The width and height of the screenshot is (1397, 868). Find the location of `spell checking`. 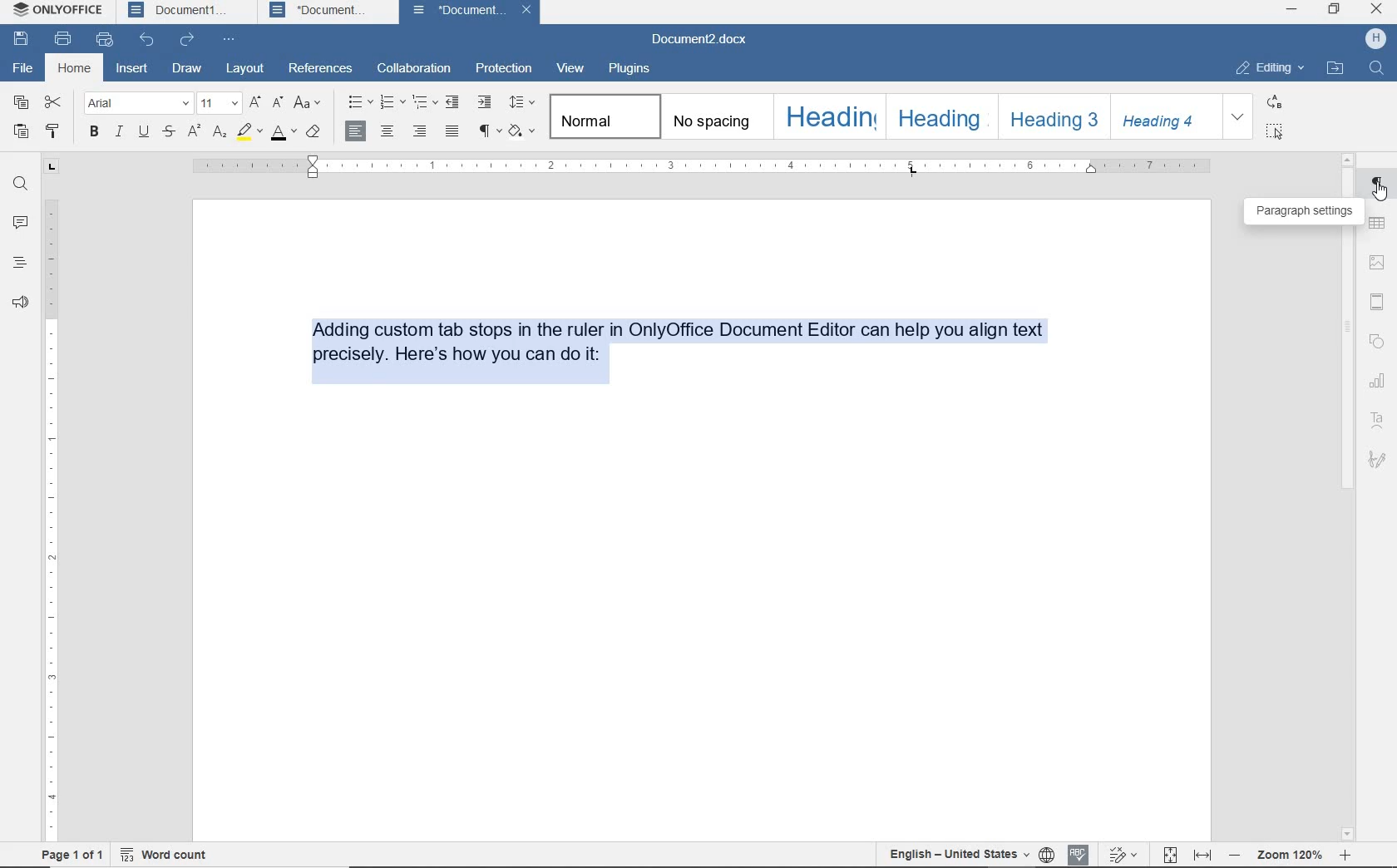

spell checking is located at coordinates (1078, 854).